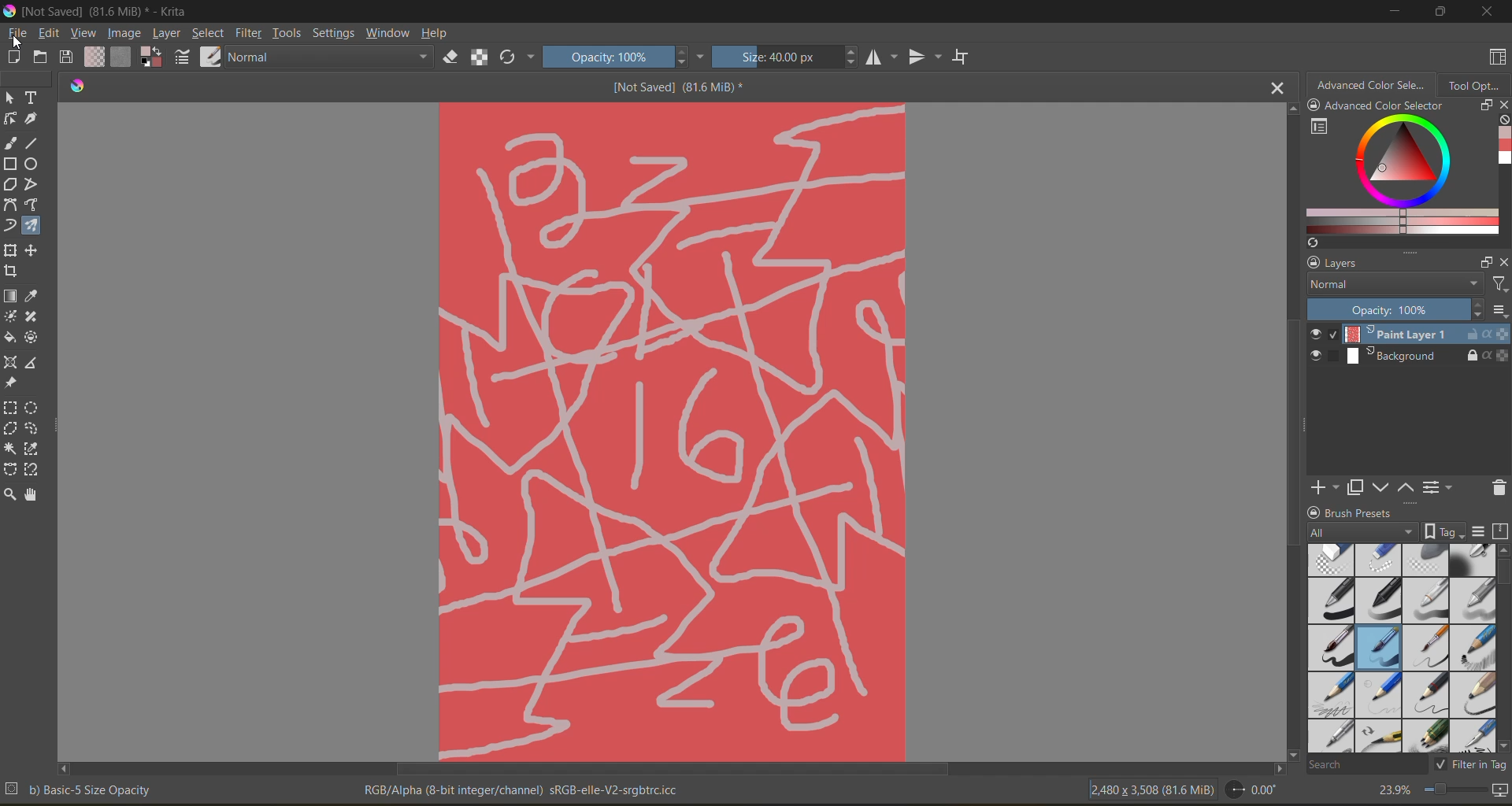  I want to click on size, so click(784, 57).